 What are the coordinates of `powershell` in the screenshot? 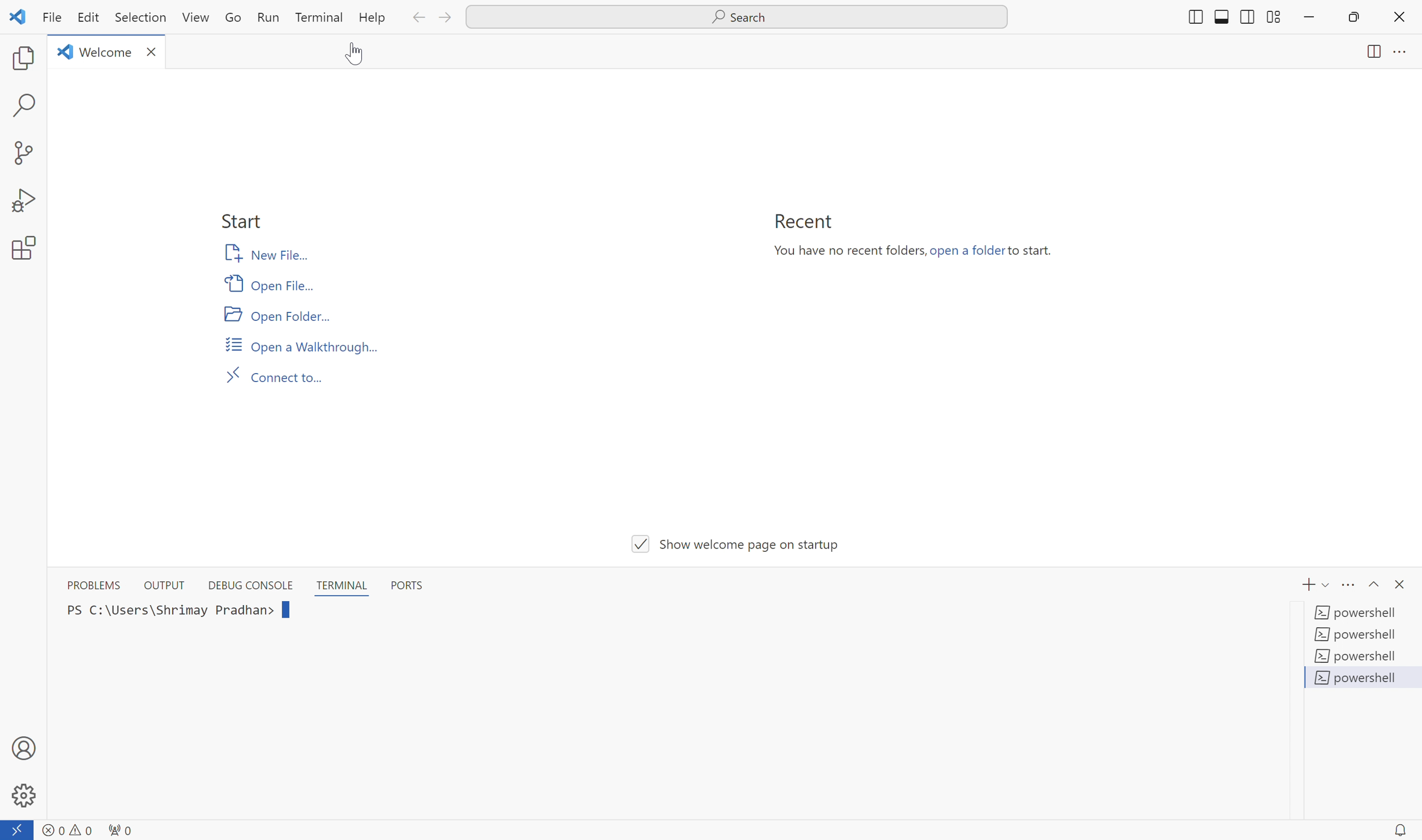 It's located at (1356, 655).